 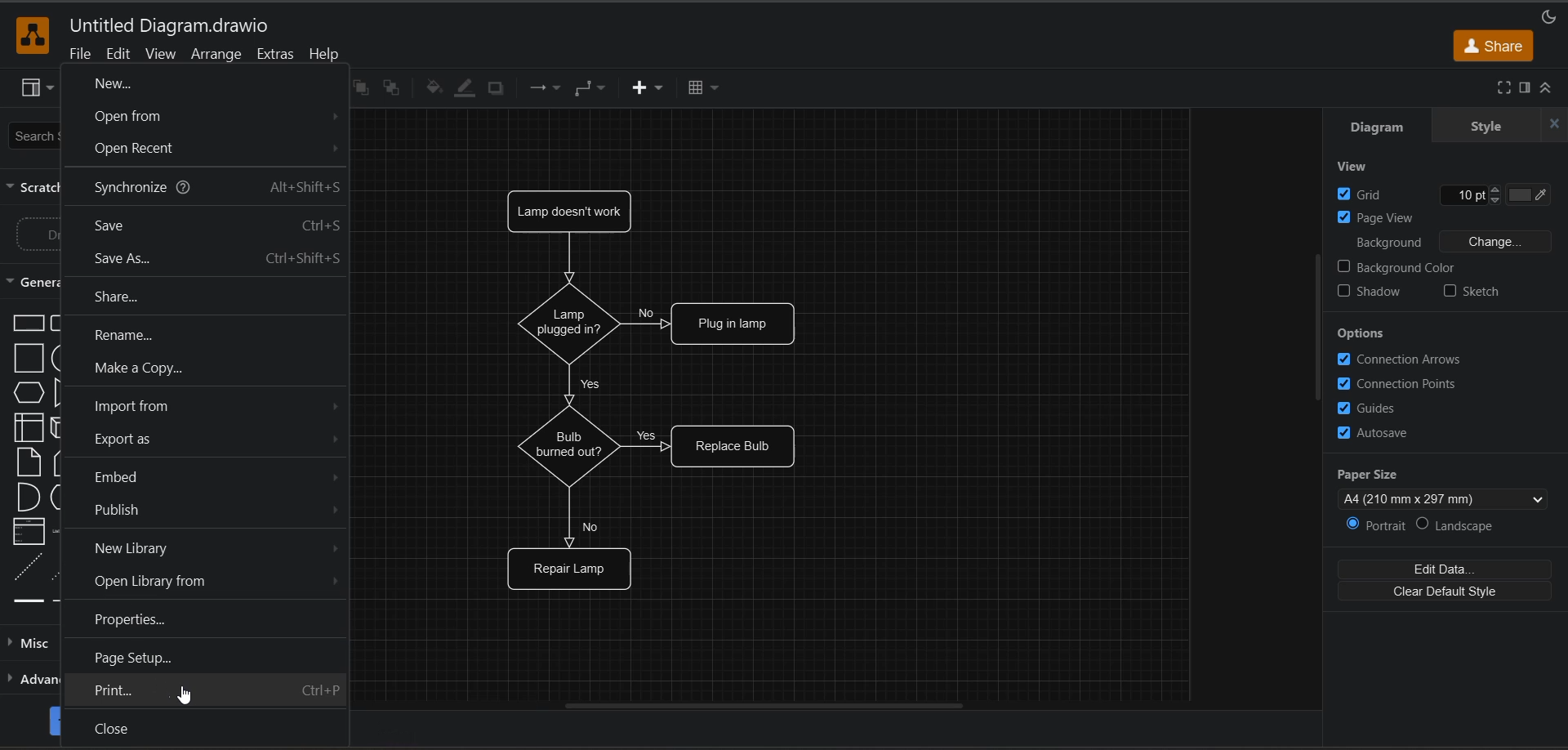 I want to click on page view, so click(x=1388, y=217).